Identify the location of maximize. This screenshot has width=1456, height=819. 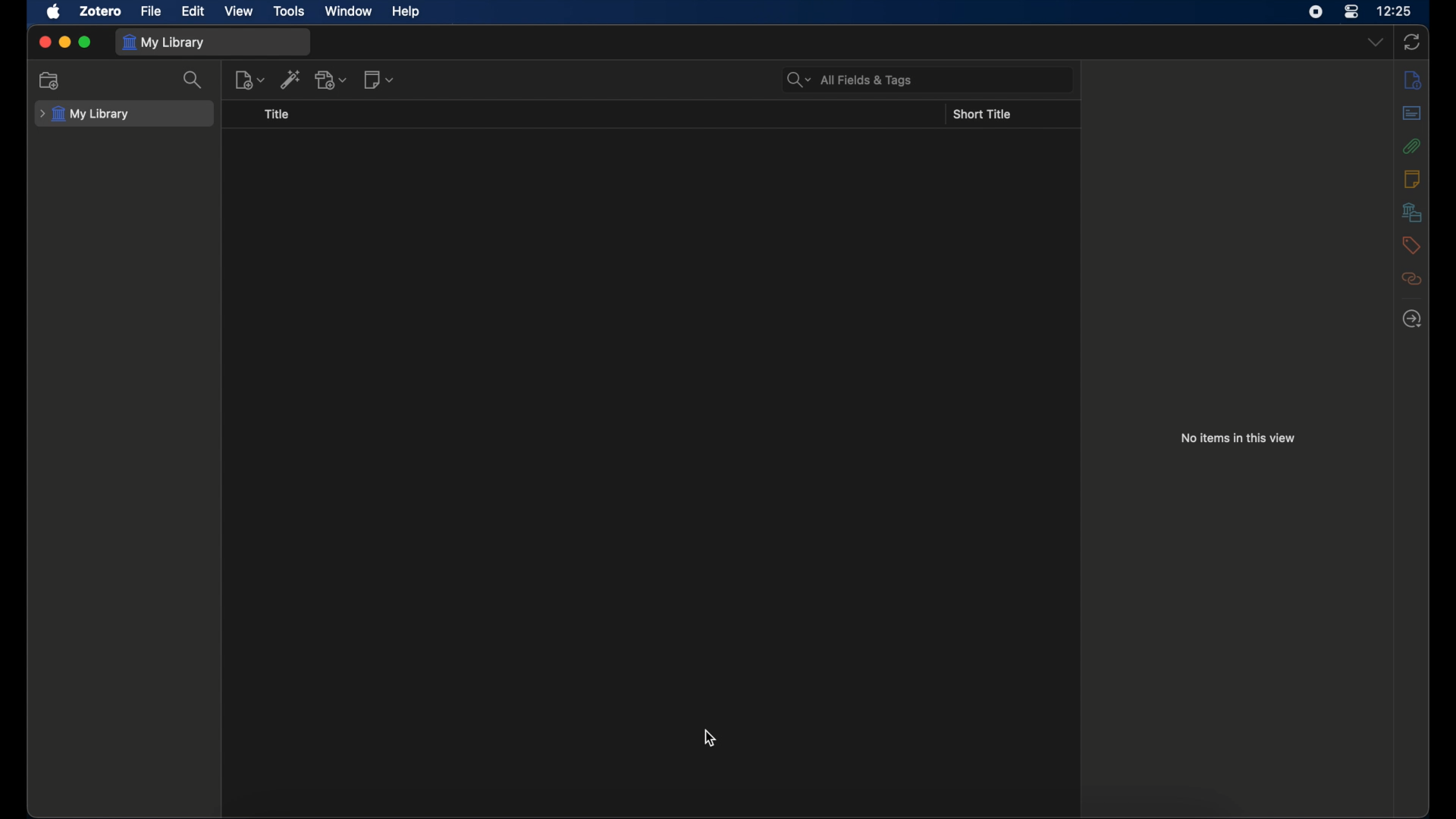
(86, 42).